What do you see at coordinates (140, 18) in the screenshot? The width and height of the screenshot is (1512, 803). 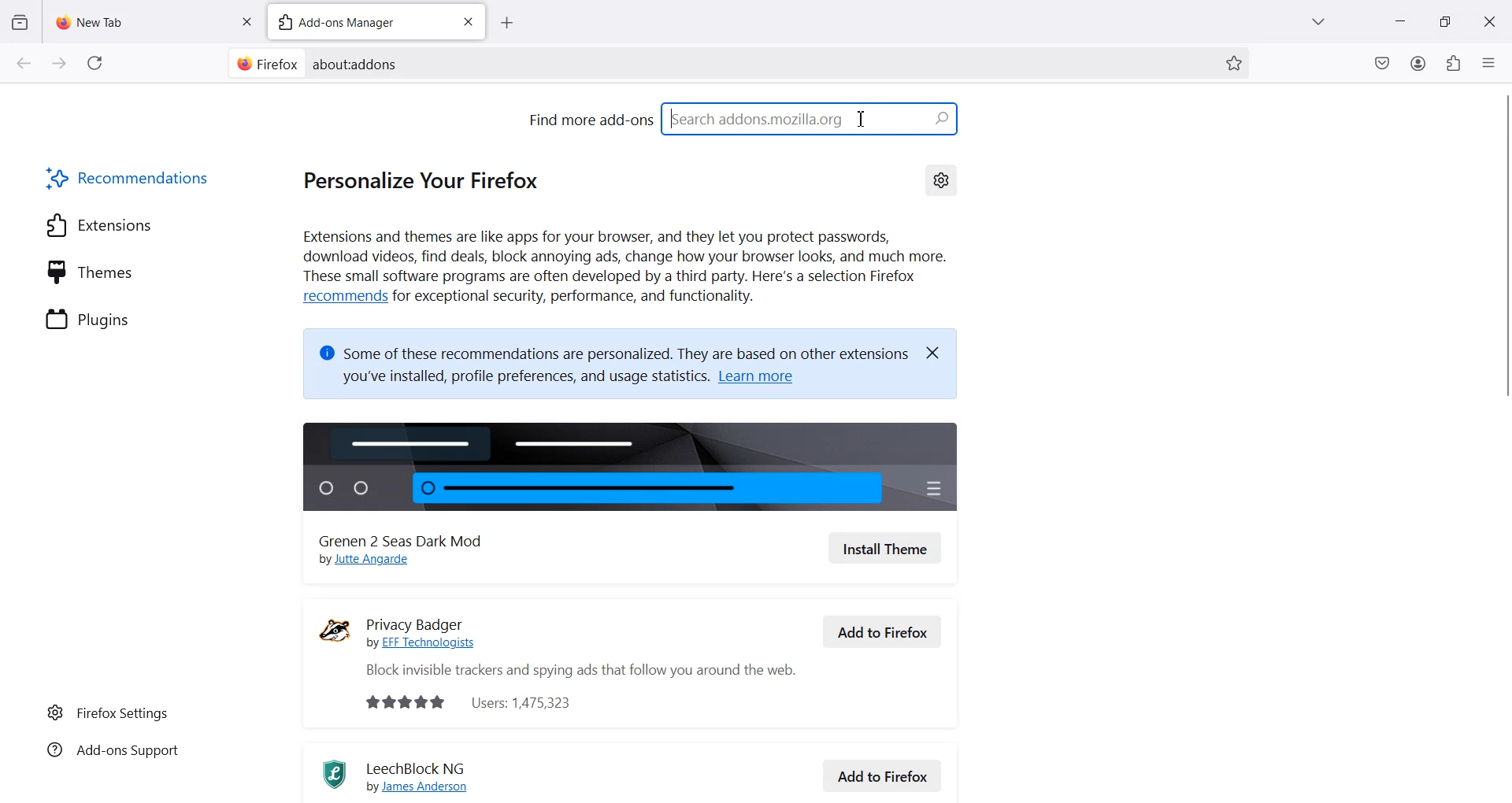 I see `New Tab` at bounding box center [140, 18].